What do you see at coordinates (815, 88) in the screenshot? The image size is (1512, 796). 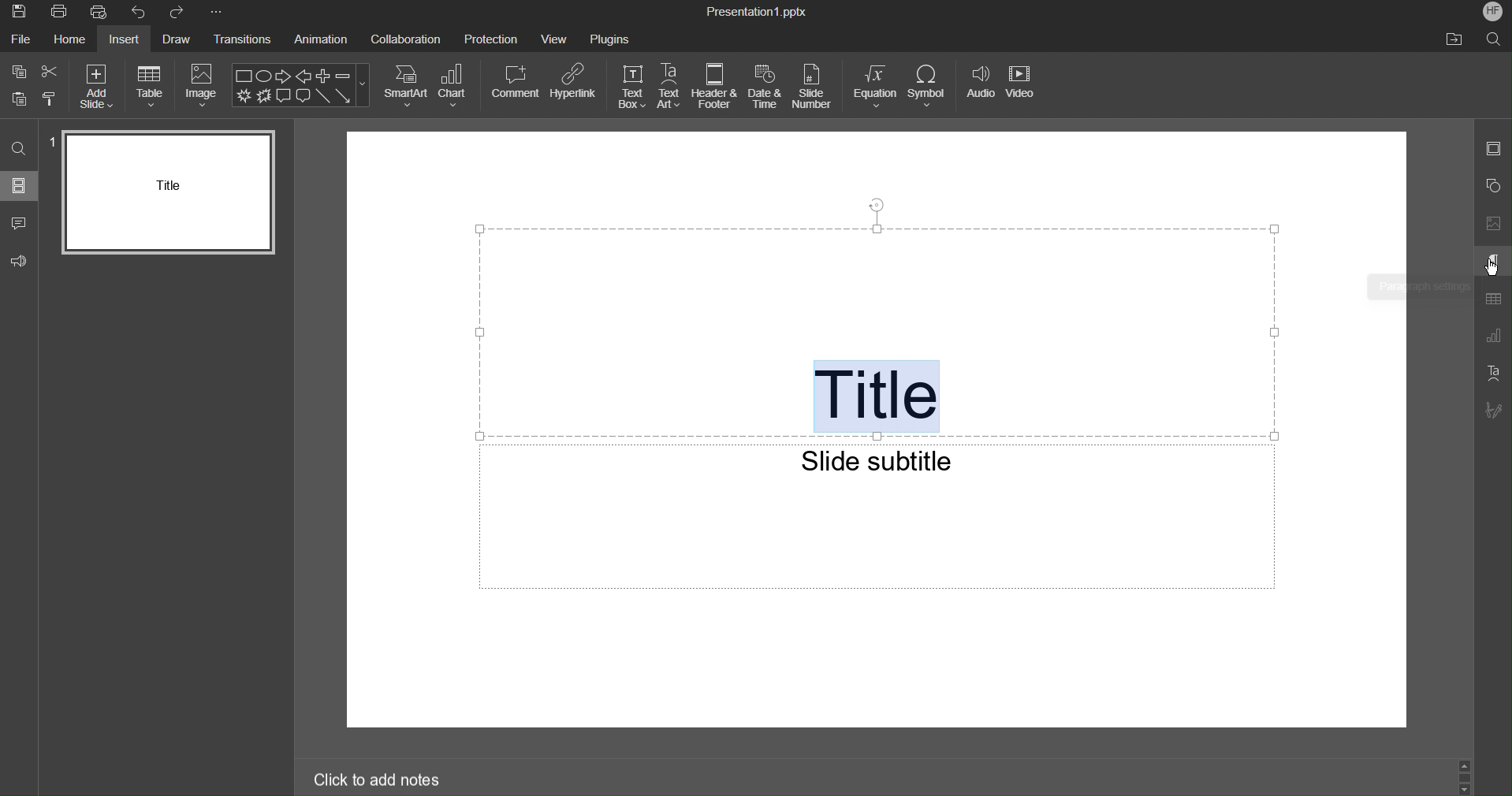 I see `Slide Number` at bounding box center [815, 88].